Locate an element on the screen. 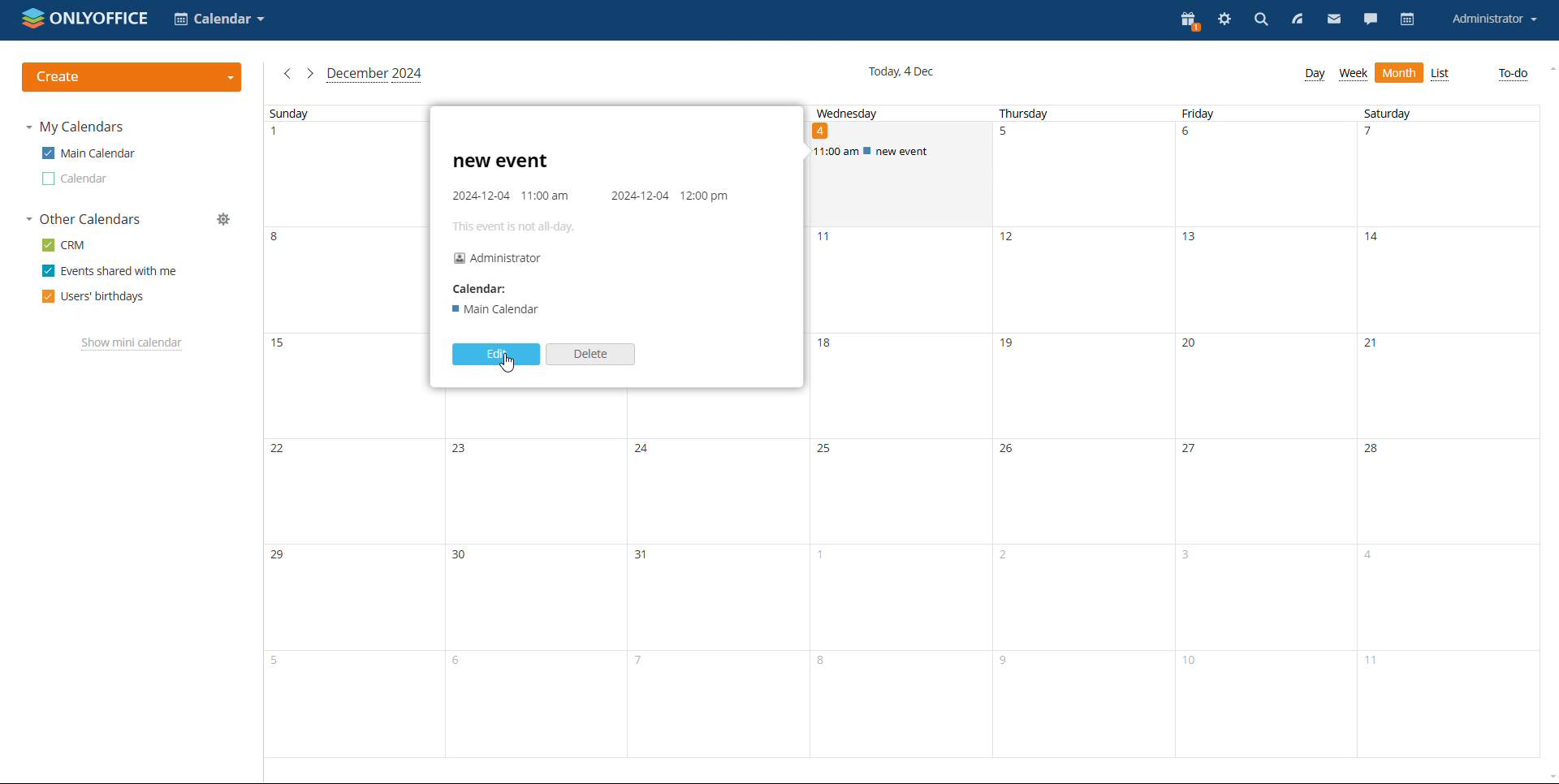 The height and width of the screenshot is (784, 1559). present is located at coordinates (1189, 21).